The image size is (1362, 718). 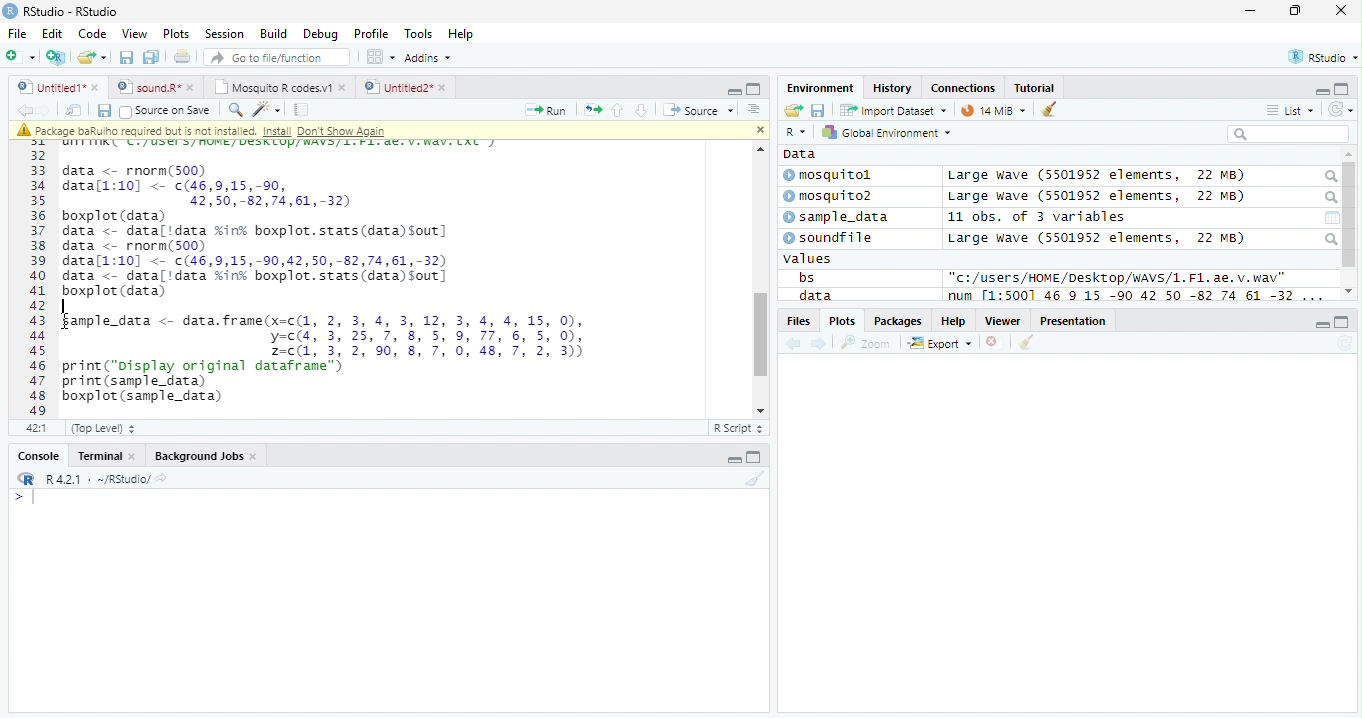 What do you see at coordinates (798, 132) in the screenshot?
I see `R` at bounding box center [798, 132].